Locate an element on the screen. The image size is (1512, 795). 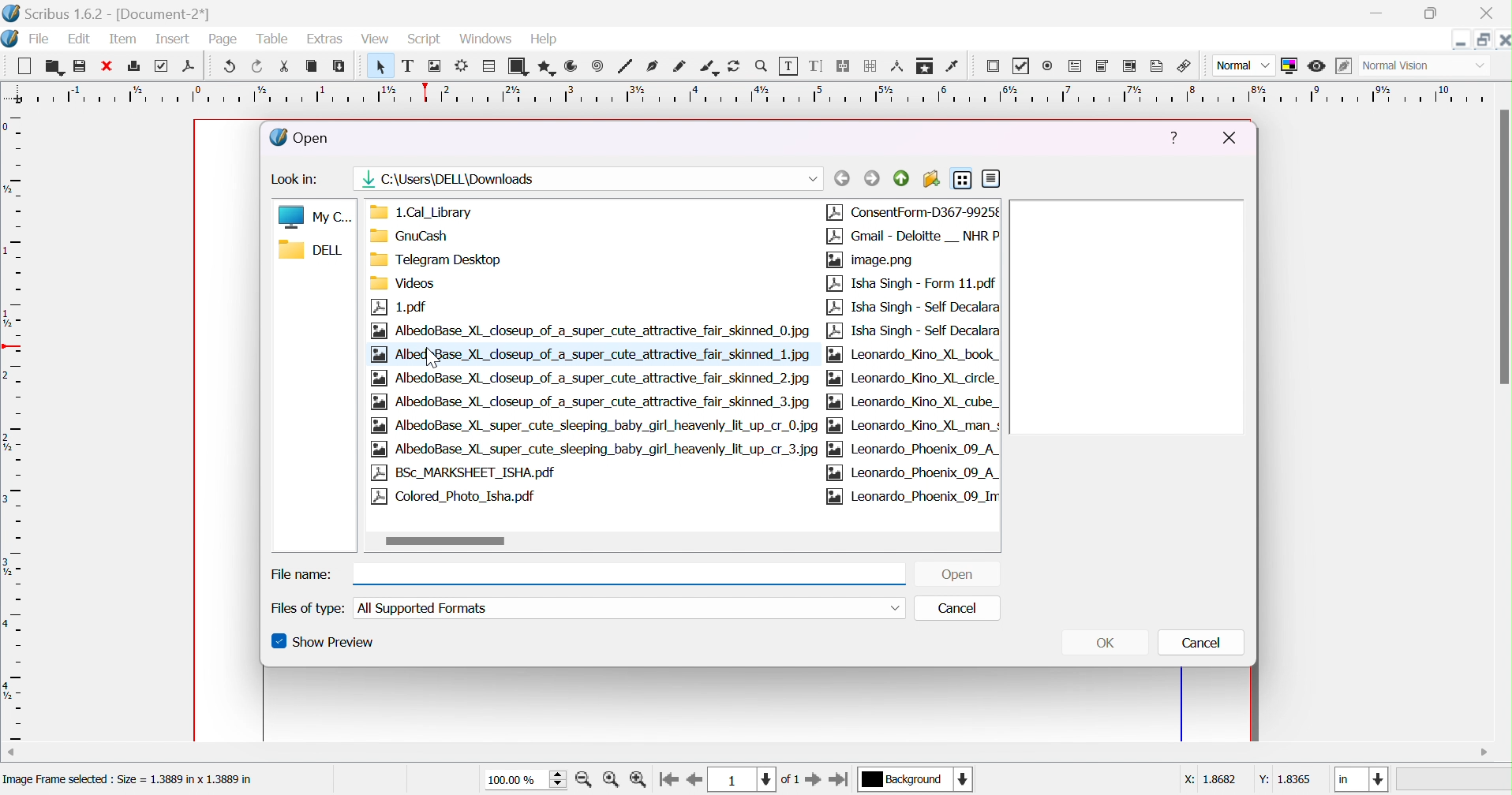
scroll bar is located at coordinates (444, 540).